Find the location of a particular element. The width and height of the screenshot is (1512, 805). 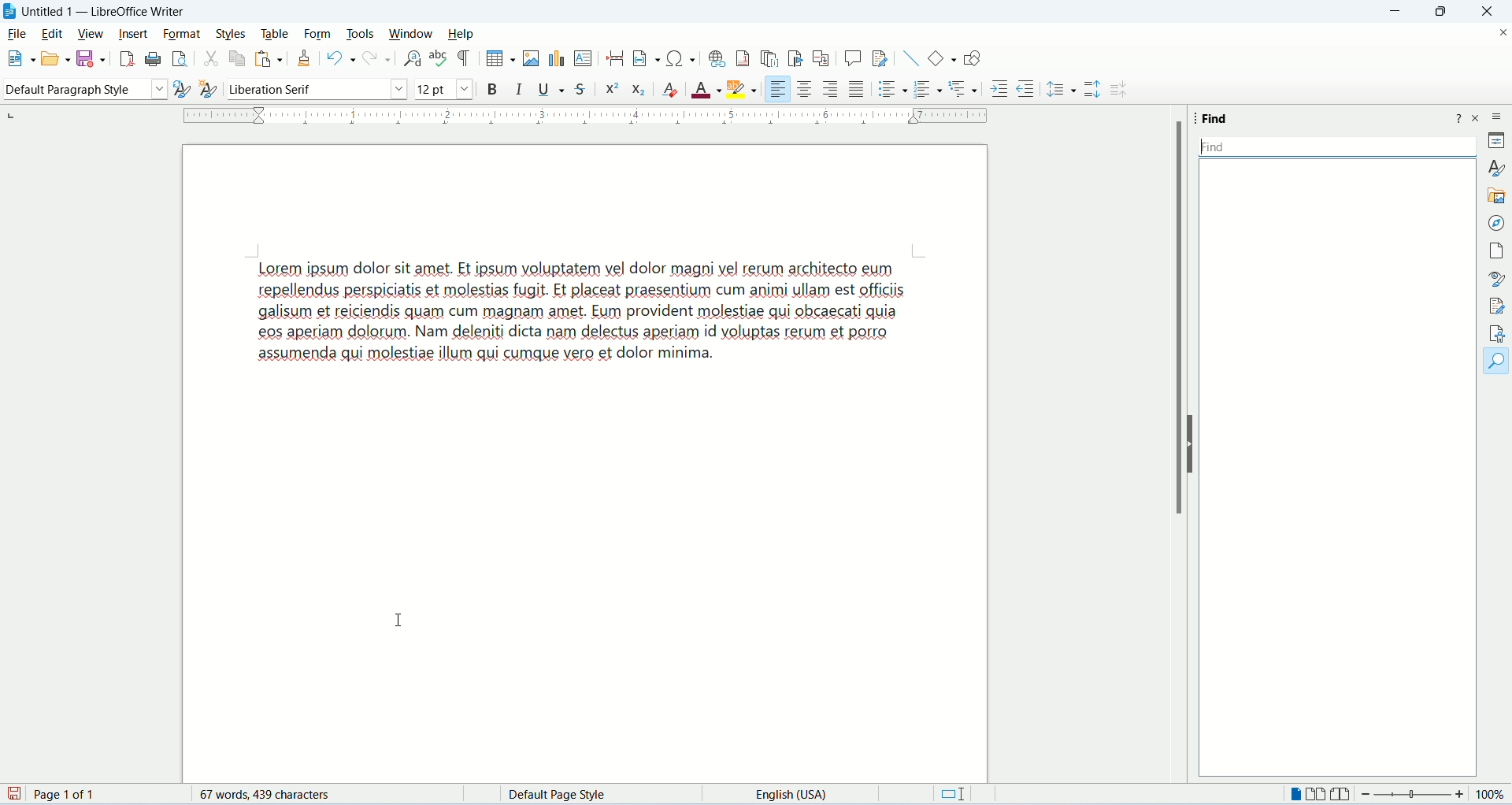

format is located at coordinates (180, 34).